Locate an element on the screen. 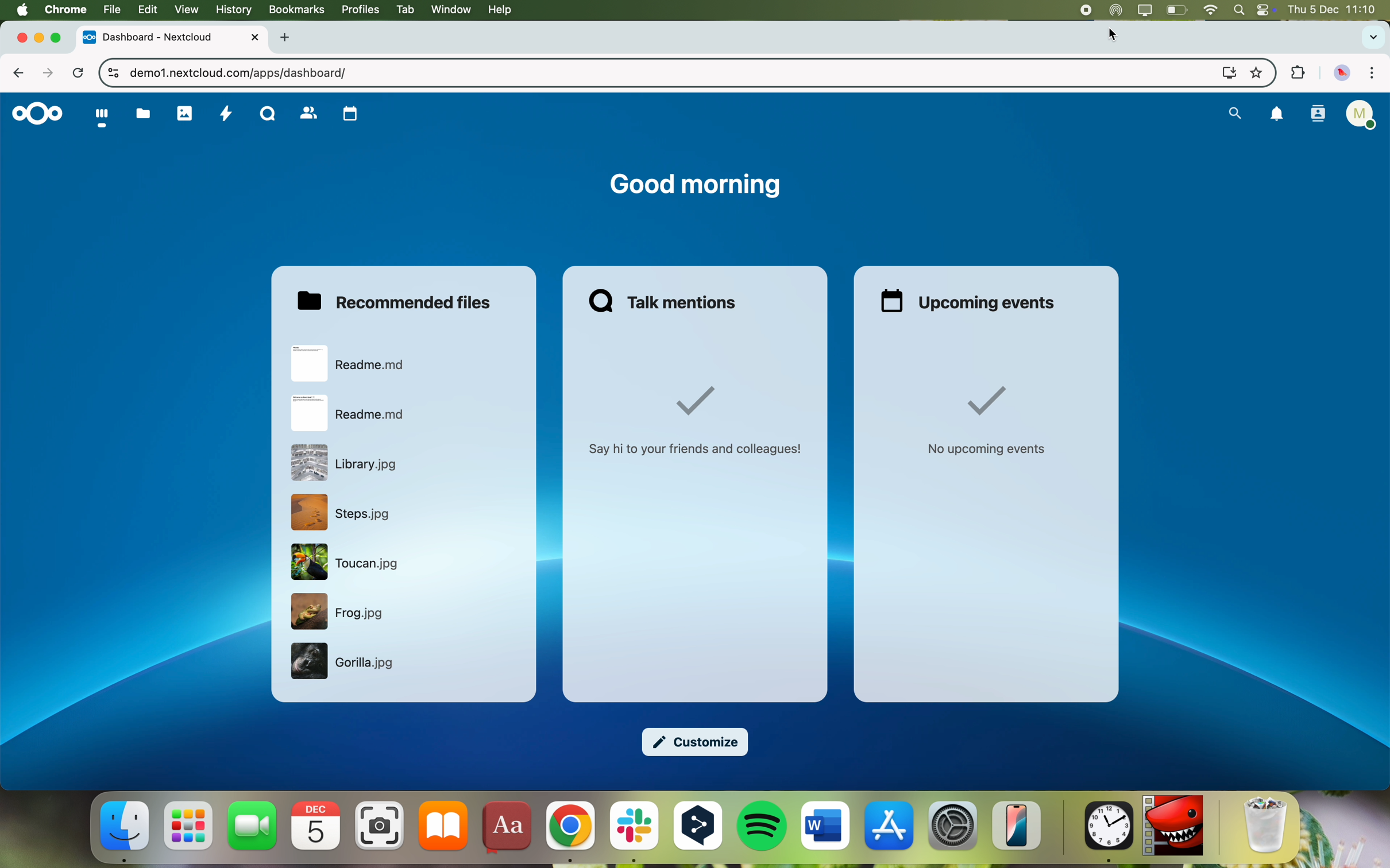  search is located at coordinates (1232, 114).